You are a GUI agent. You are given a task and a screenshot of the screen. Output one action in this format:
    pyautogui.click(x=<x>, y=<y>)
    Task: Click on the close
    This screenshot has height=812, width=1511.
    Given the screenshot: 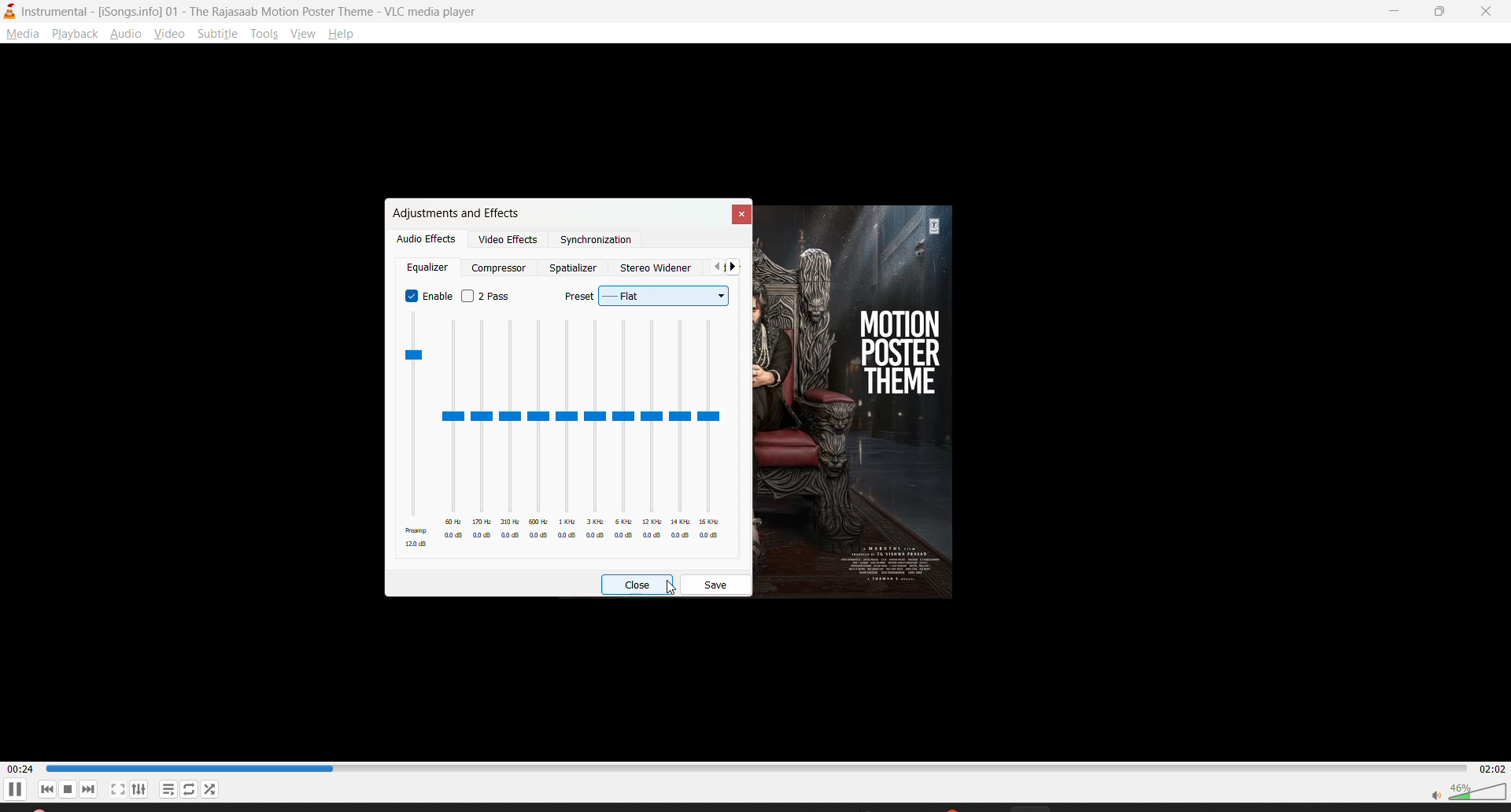 What is the action you would take?
    pyautogui.click(x=738, y=212)
    